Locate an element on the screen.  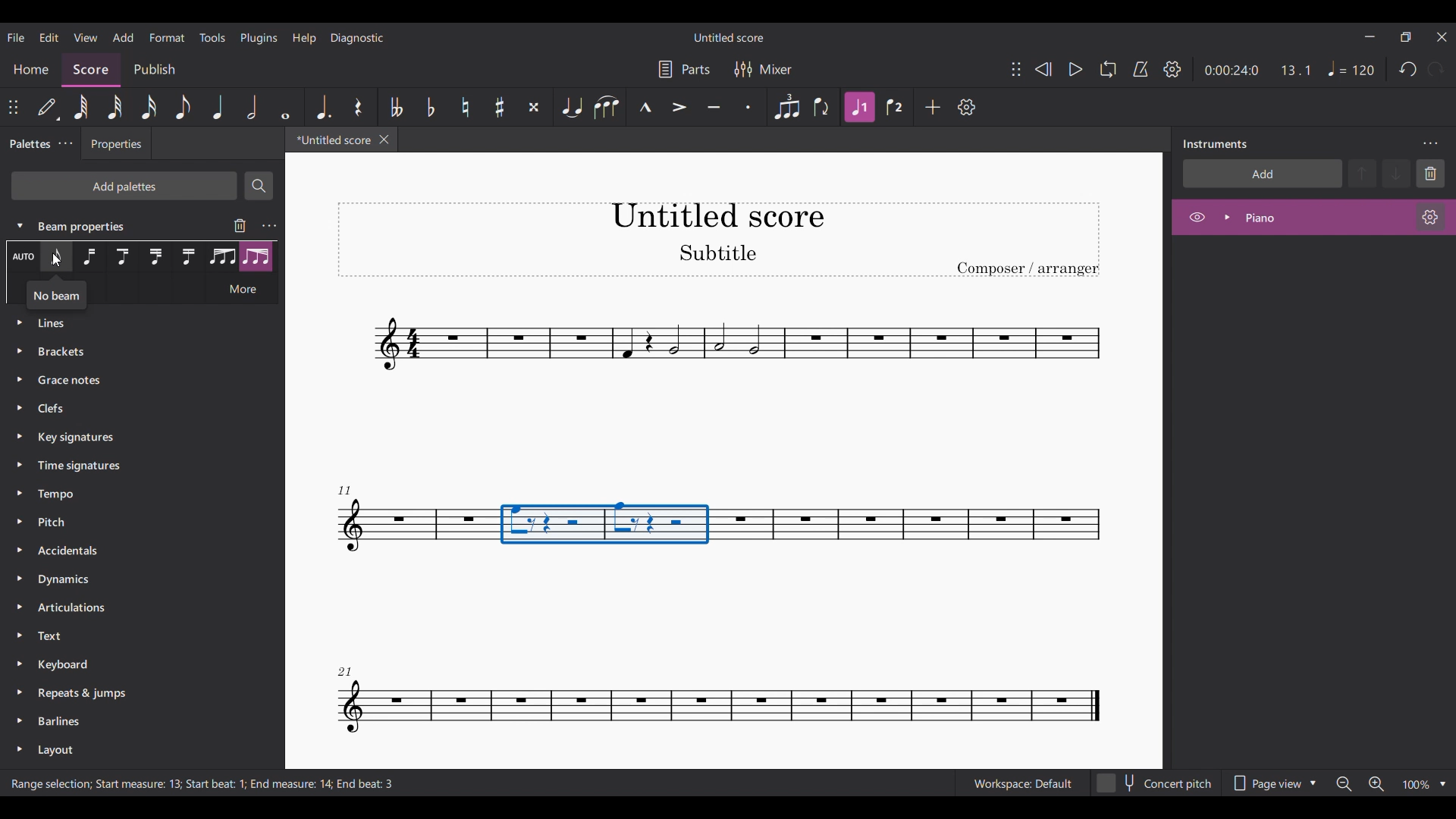
Text is located at coordinates (128, 636).